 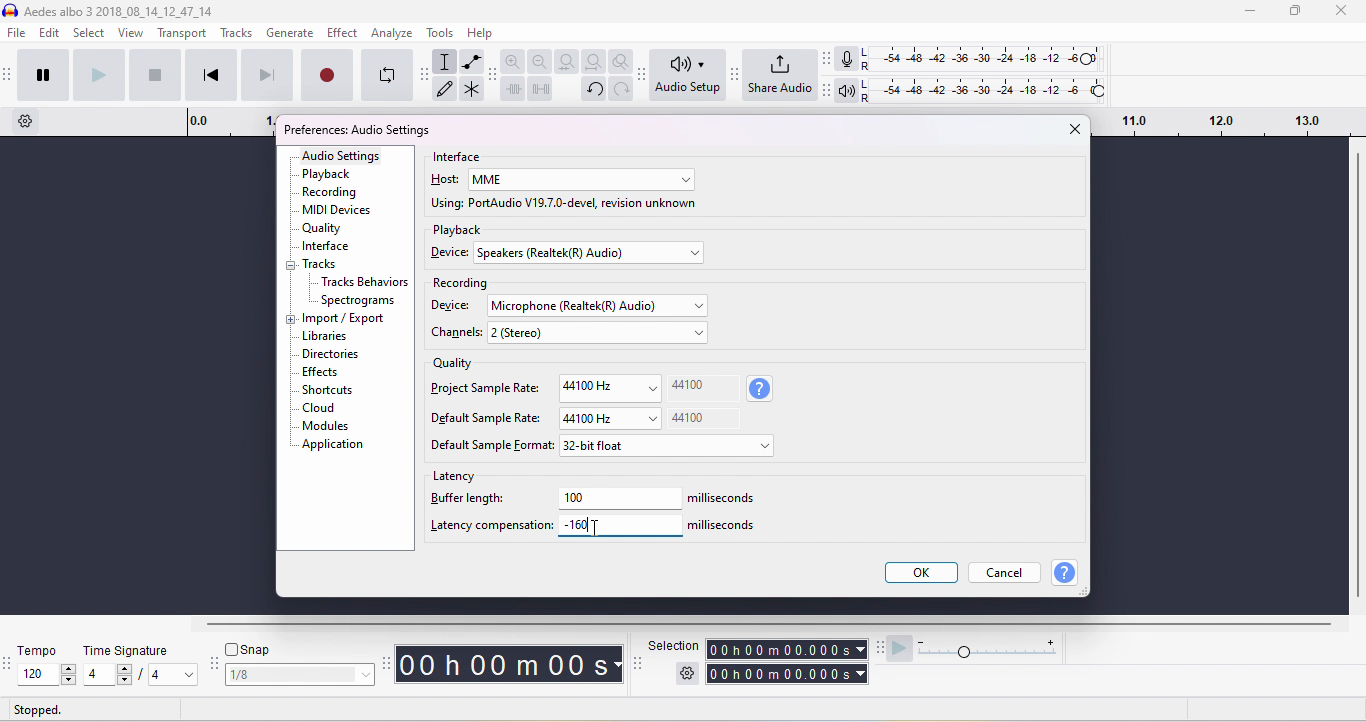 What do you see at coordinates (46, 675) in the screenshot?
I see `select tempo` at bounding box center [46, 675].